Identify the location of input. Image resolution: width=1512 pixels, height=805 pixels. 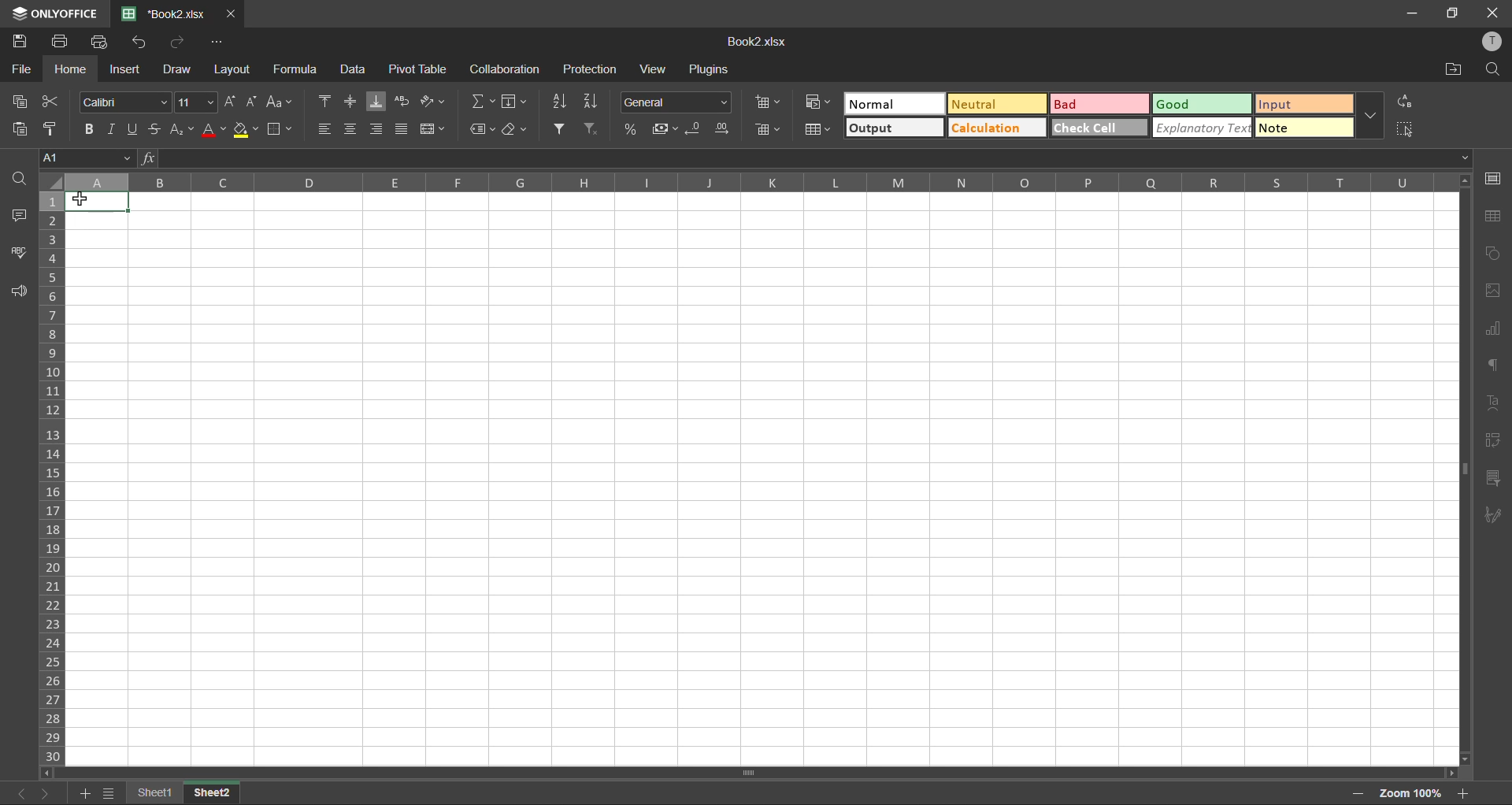
(1301, 105).